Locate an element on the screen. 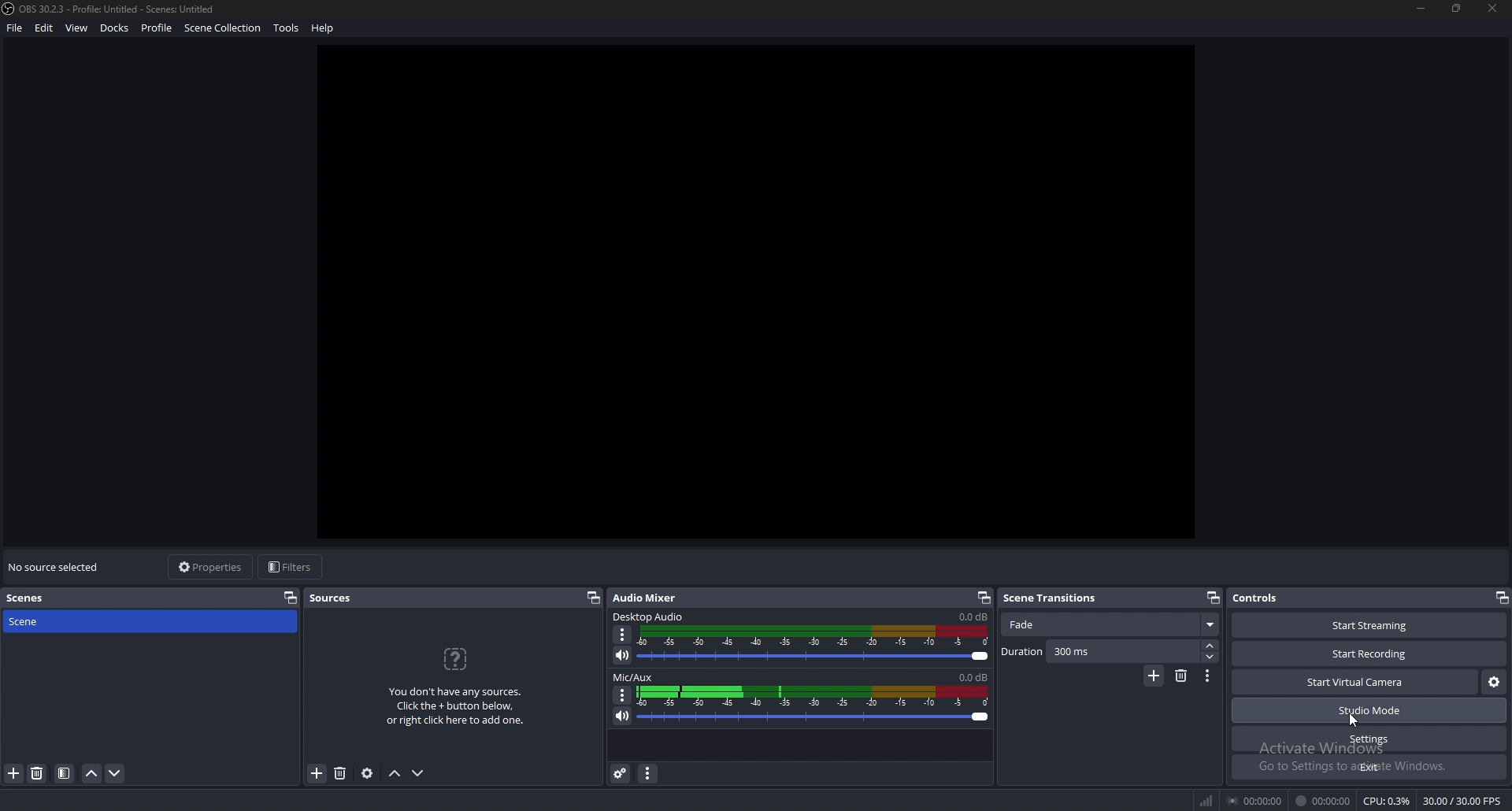 This screenshot has width=1512, height=811. 00:00:00 is located at coordinates (1253, 802).